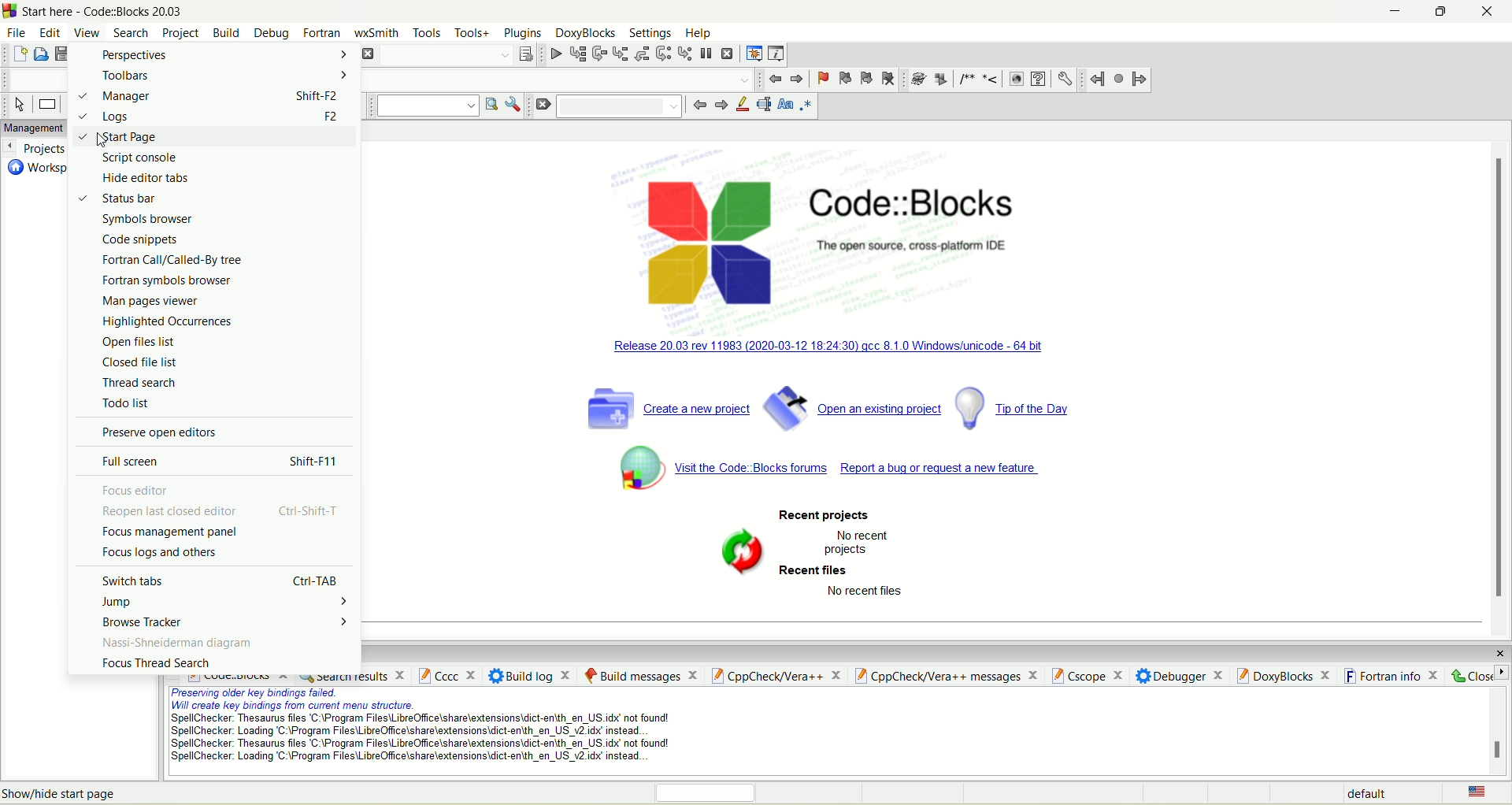 This screenshot has width=1512, height=805. Describe the element at coordinates (470, 36) in the screenshot. I see `tools+` at that location.